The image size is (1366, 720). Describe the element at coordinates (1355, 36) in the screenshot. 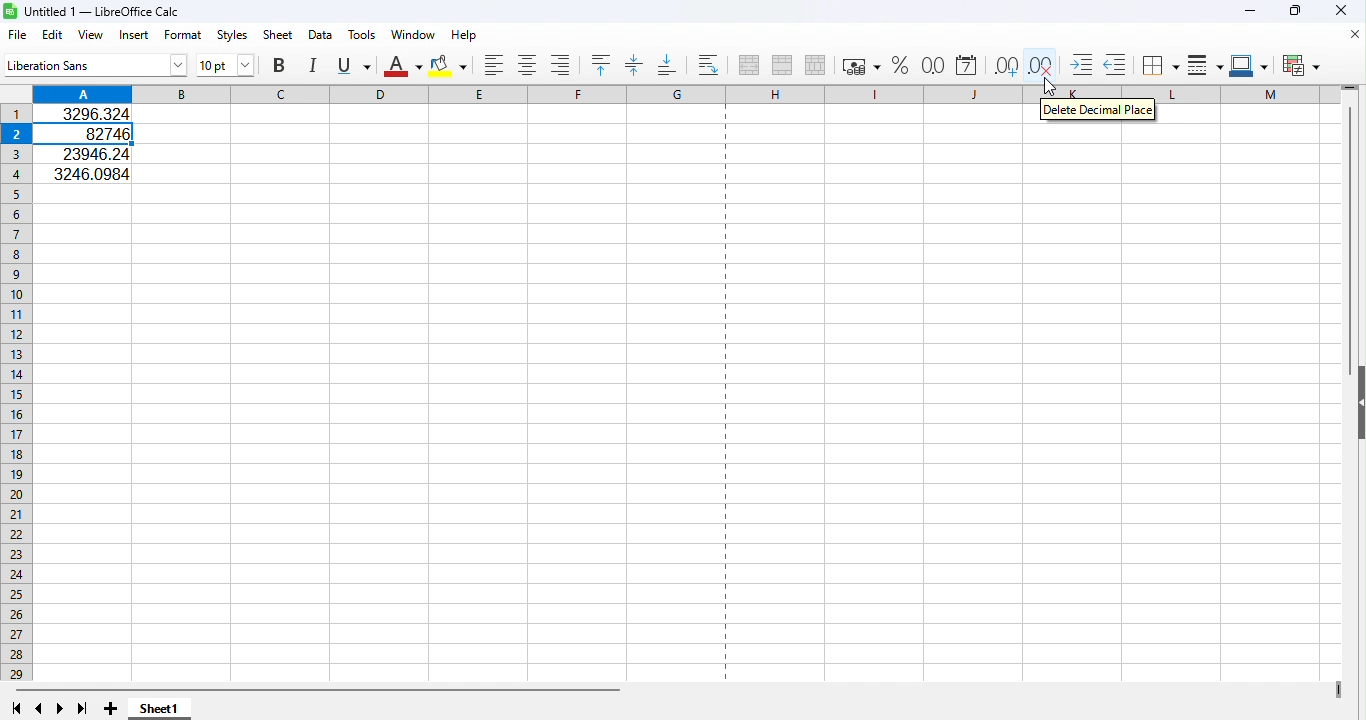

I see `Close document` at that location.